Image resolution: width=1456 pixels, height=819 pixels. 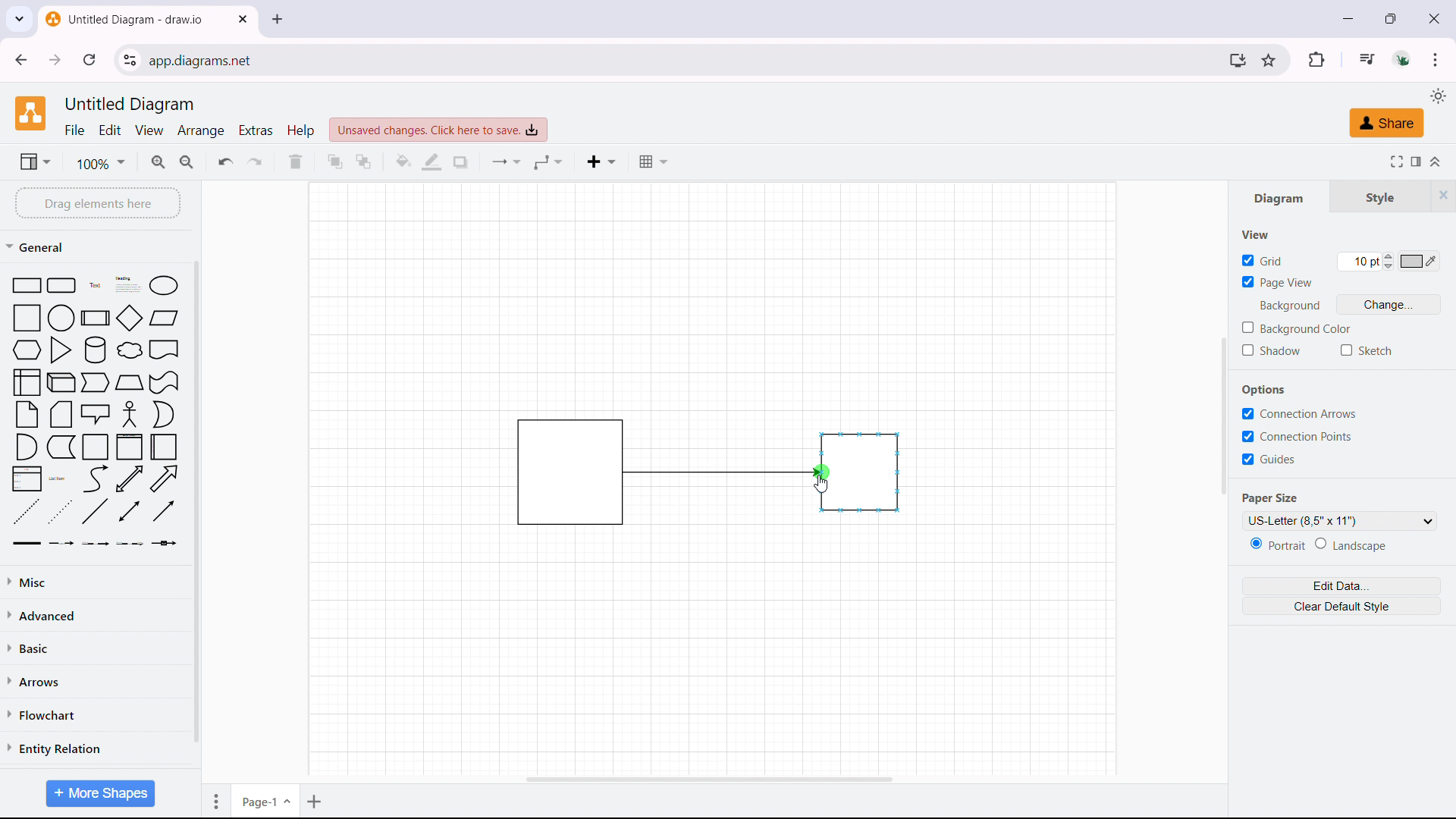 What do you see at coordinates (432, 162) in the screenshot?
I see `line color` at bounding box center [432, 162].